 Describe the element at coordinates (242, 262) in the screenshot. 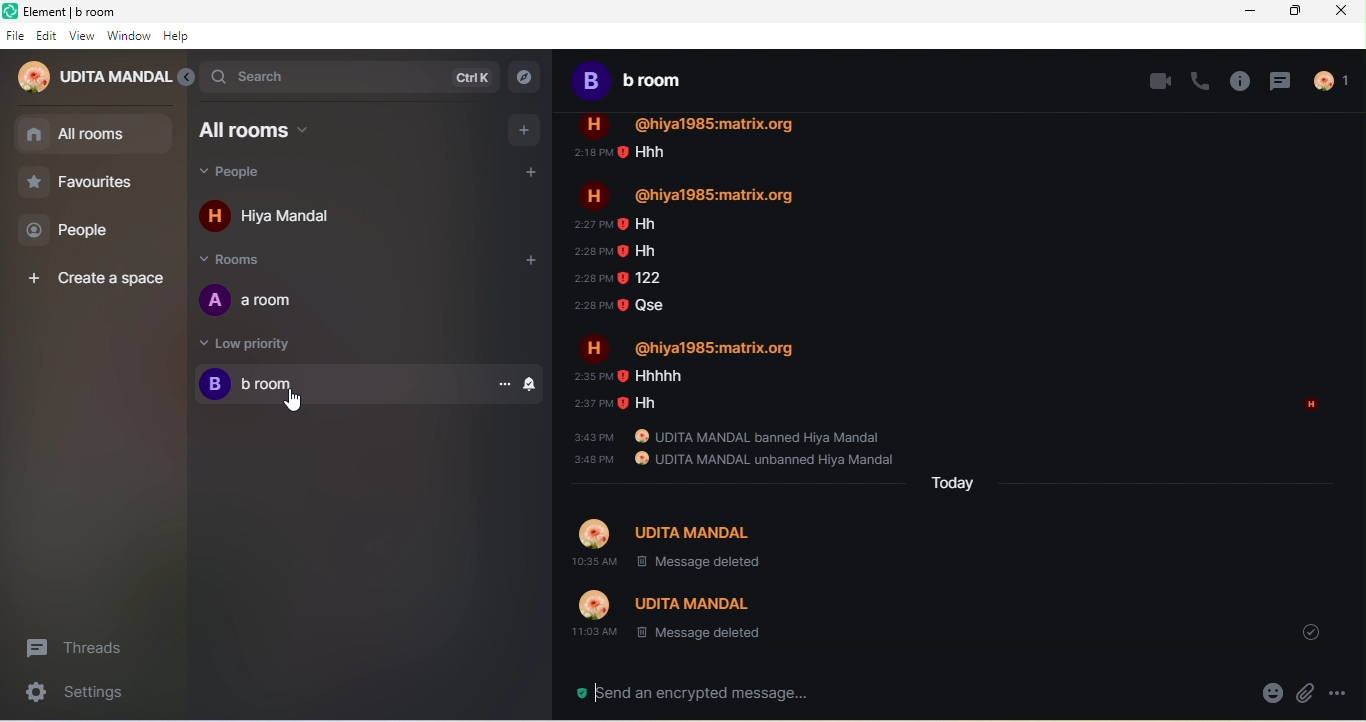

I see `rooms` at that location.